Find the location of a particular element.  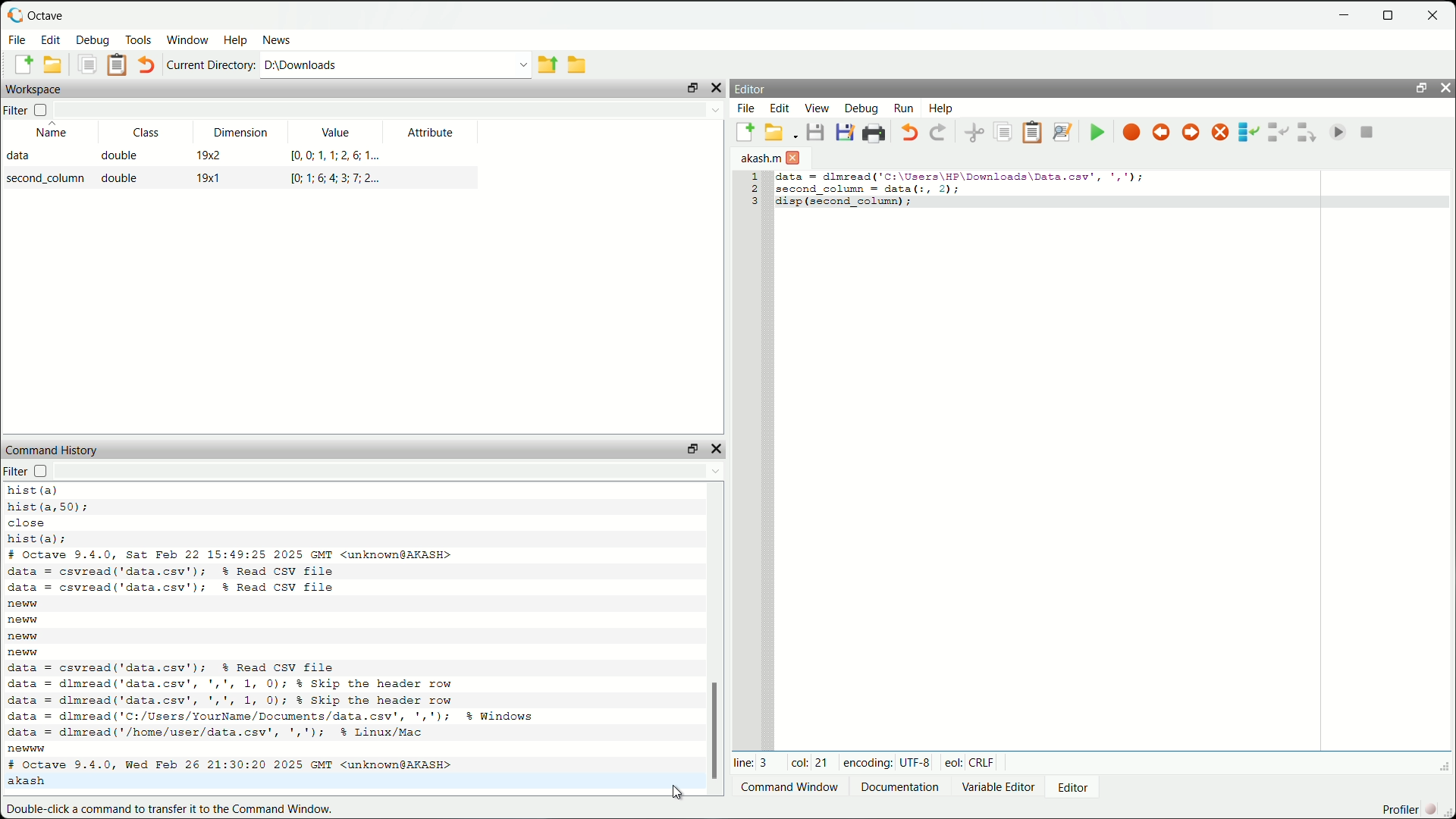

undo is located at coordinates (146, 67).